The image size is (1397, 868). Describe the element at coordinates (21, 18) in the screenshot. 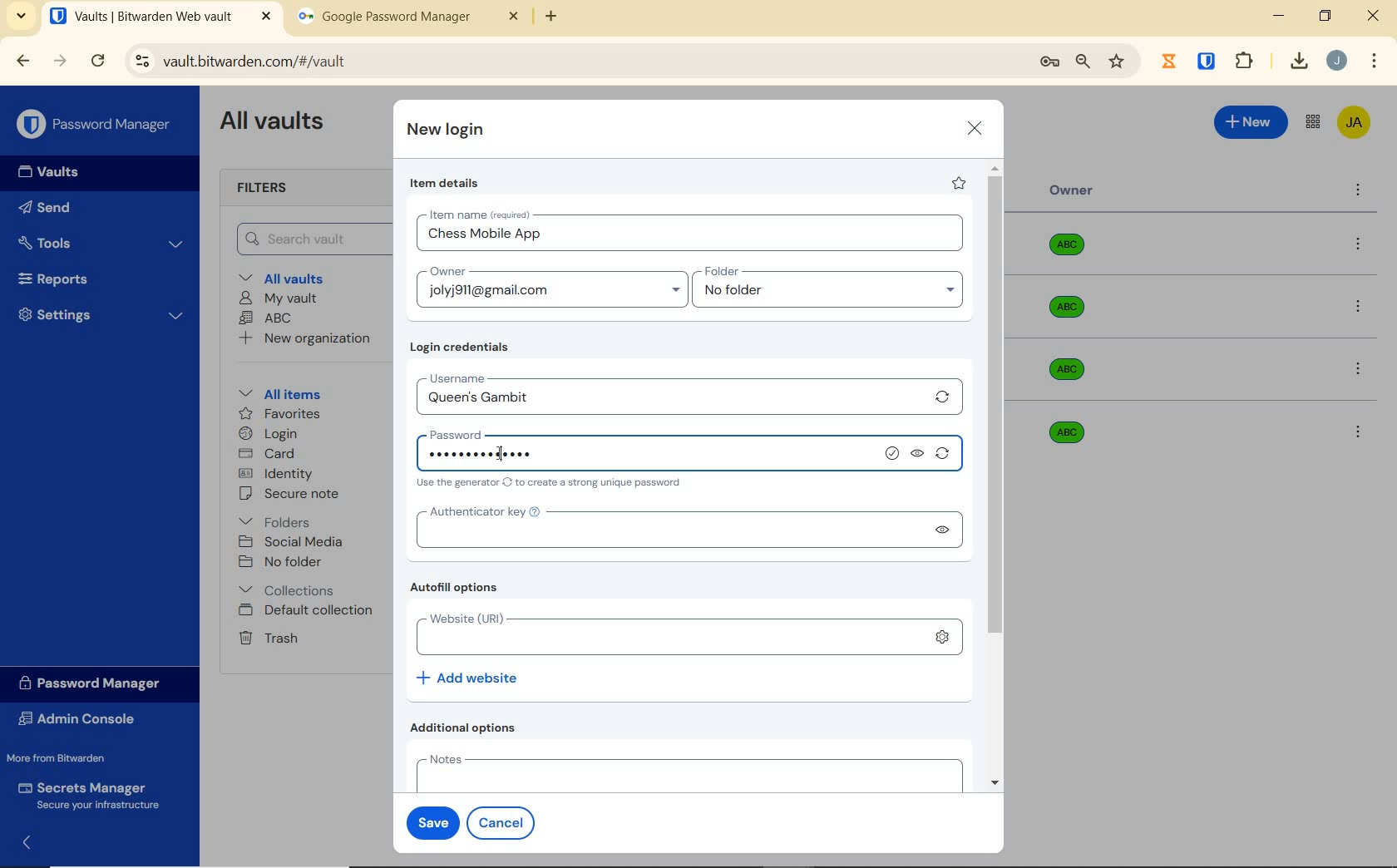

I see `search tabs` at that location.